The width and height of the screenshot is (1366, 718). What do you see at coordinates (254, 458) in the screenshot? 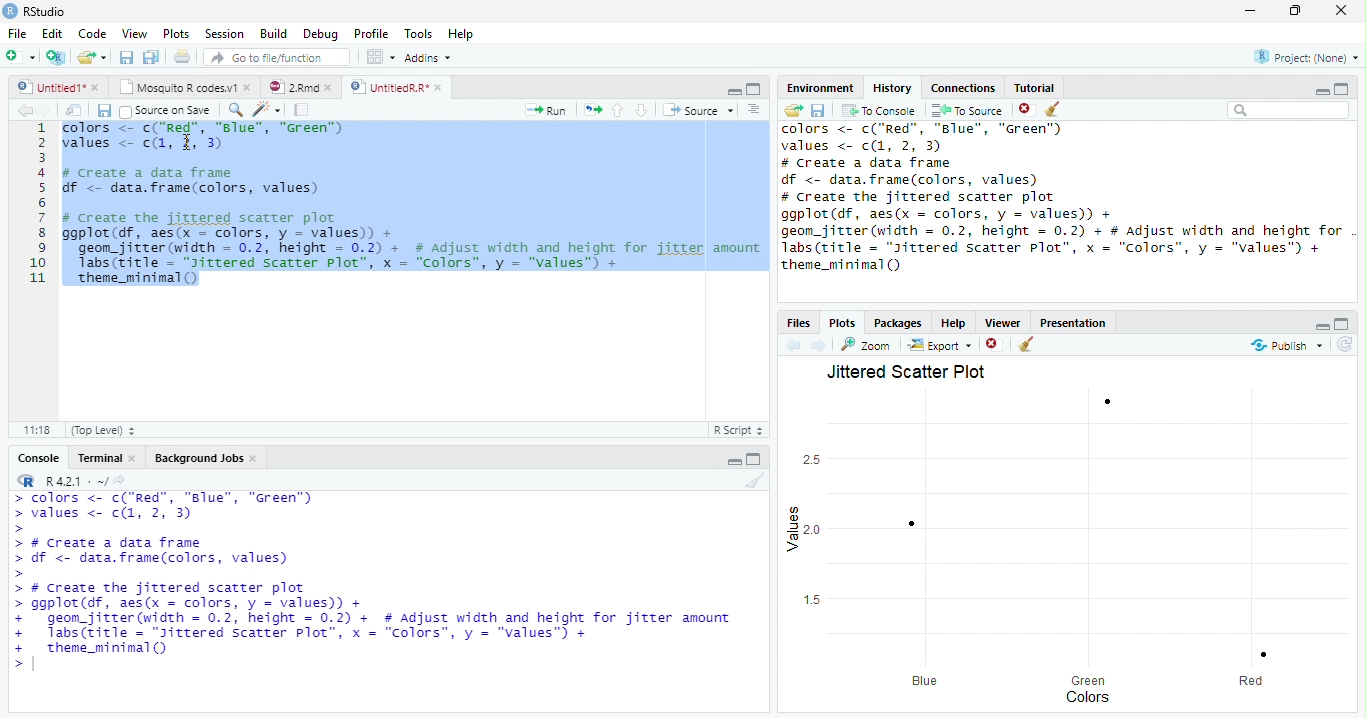
I see `close` at bounding box center [254, 458].